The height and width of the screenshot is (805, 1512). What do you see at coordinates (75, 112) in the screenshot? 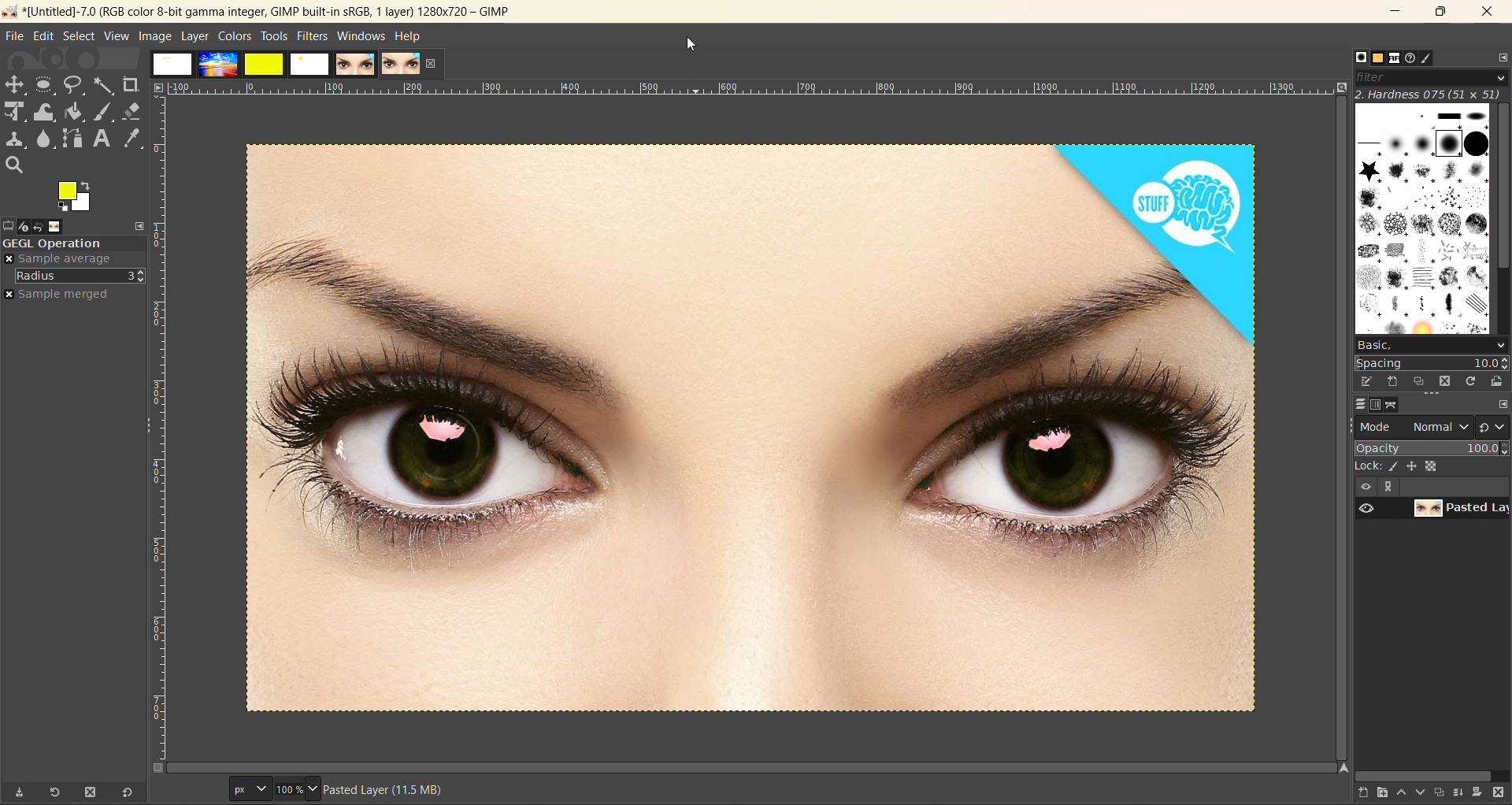
I see `paint bucket` at bounding box center [75, 112].